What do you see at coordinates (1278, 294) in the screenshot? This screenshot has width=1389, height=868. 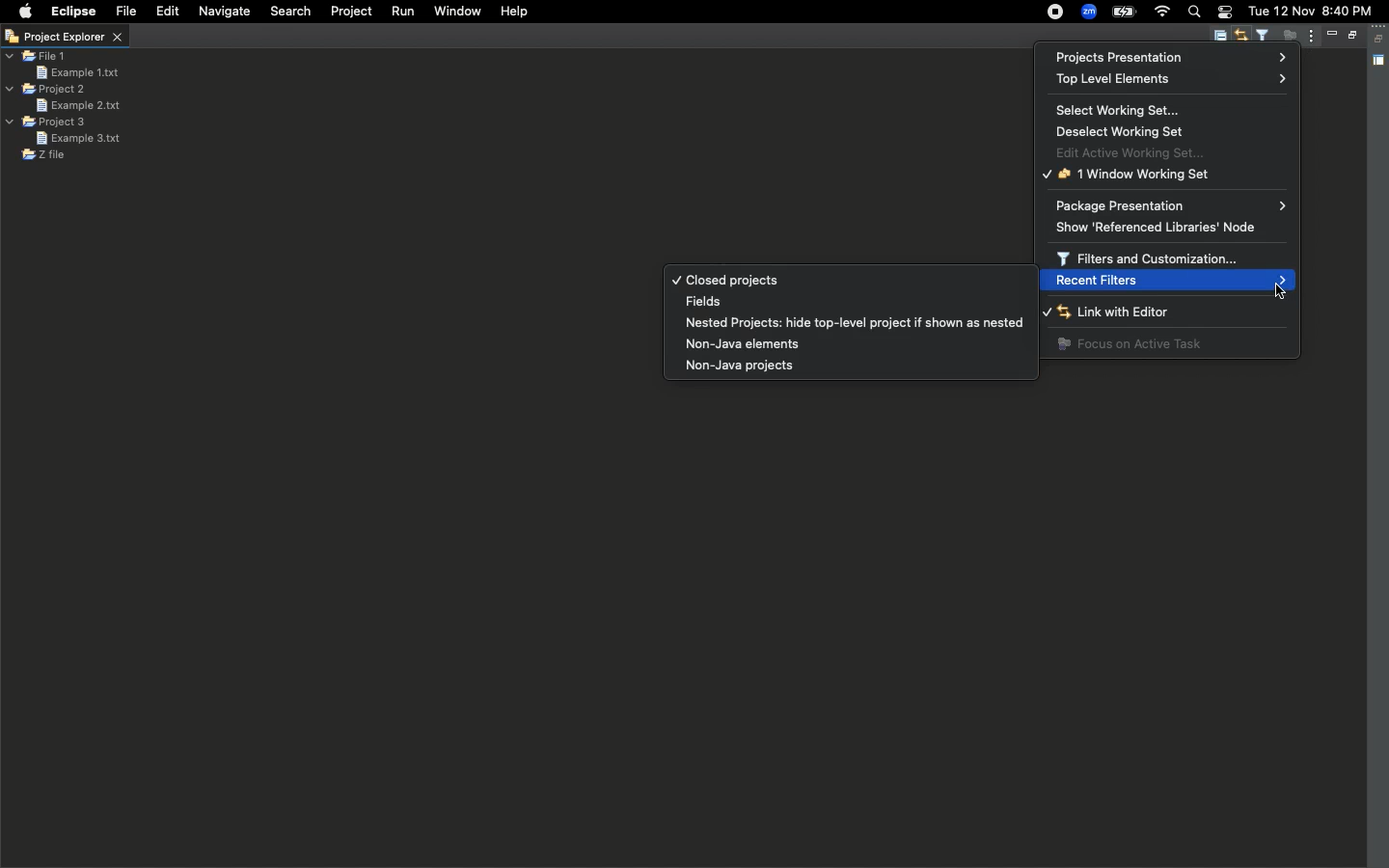 I see `cursor ` at bounding box center [1278, 294].